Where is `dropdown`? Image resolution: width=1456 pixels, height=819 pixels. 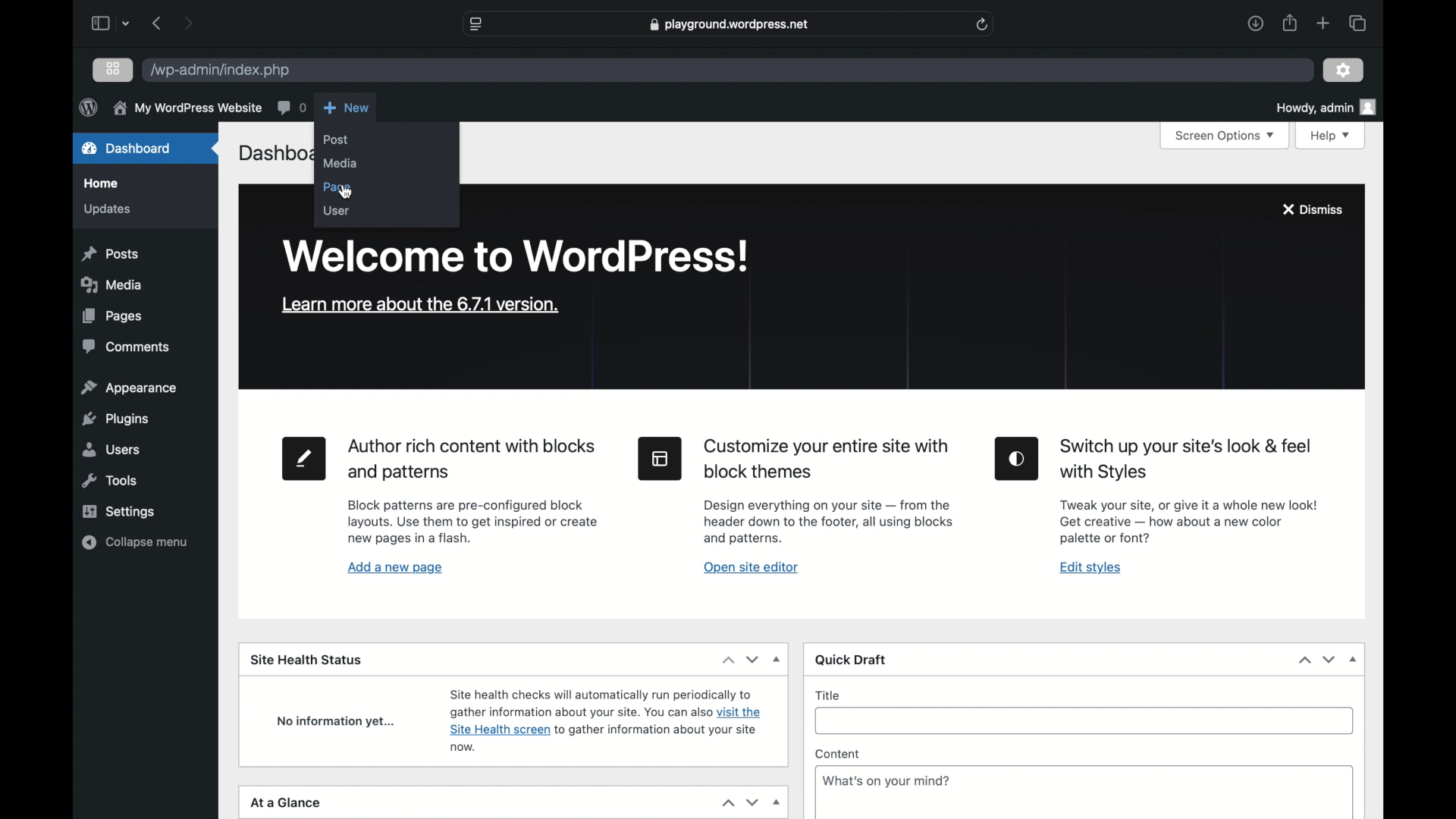 dropdown is located at coordinates (778, 658).